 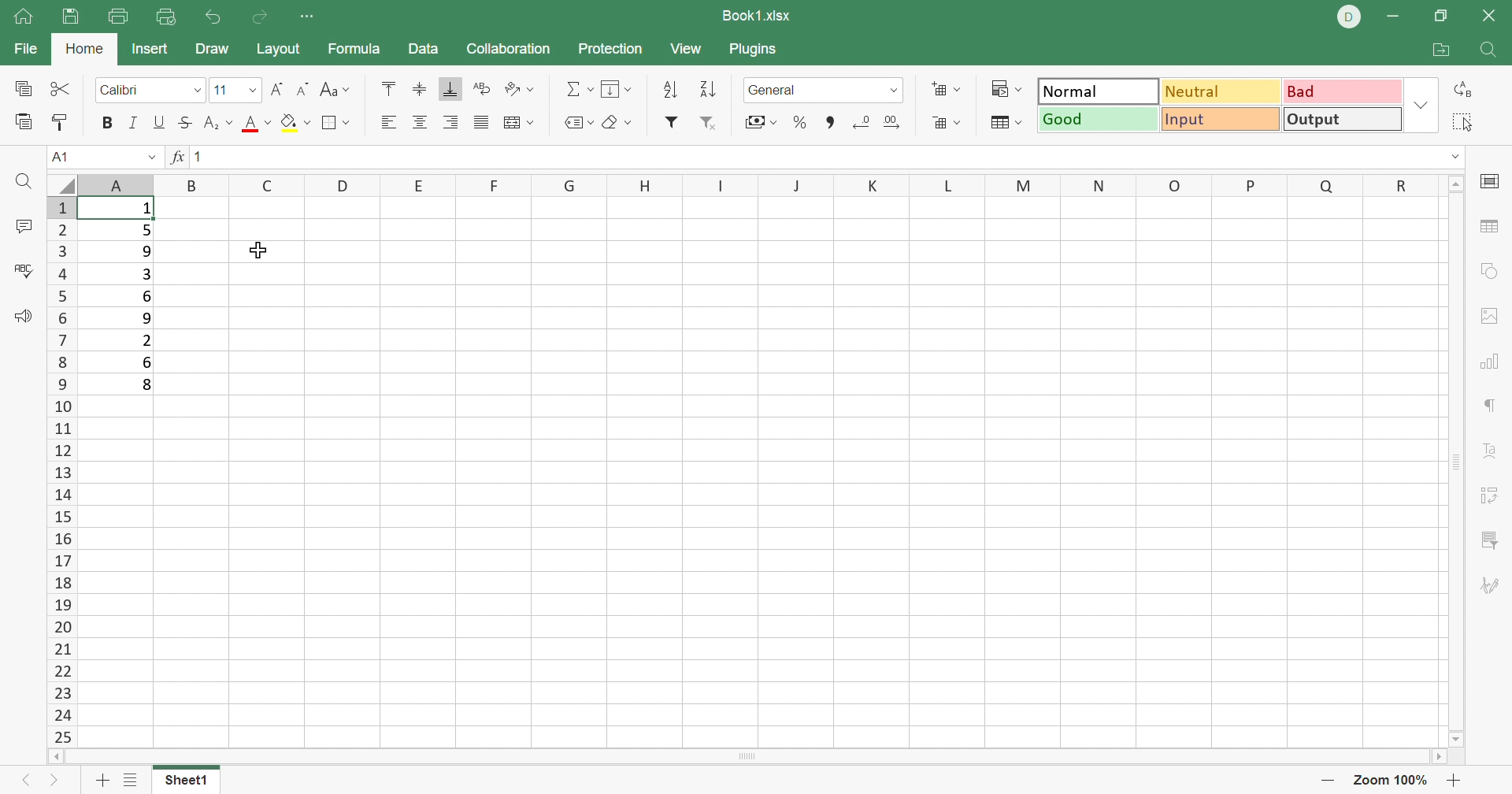 I want to click on Layout, so click(x=281, y=49).